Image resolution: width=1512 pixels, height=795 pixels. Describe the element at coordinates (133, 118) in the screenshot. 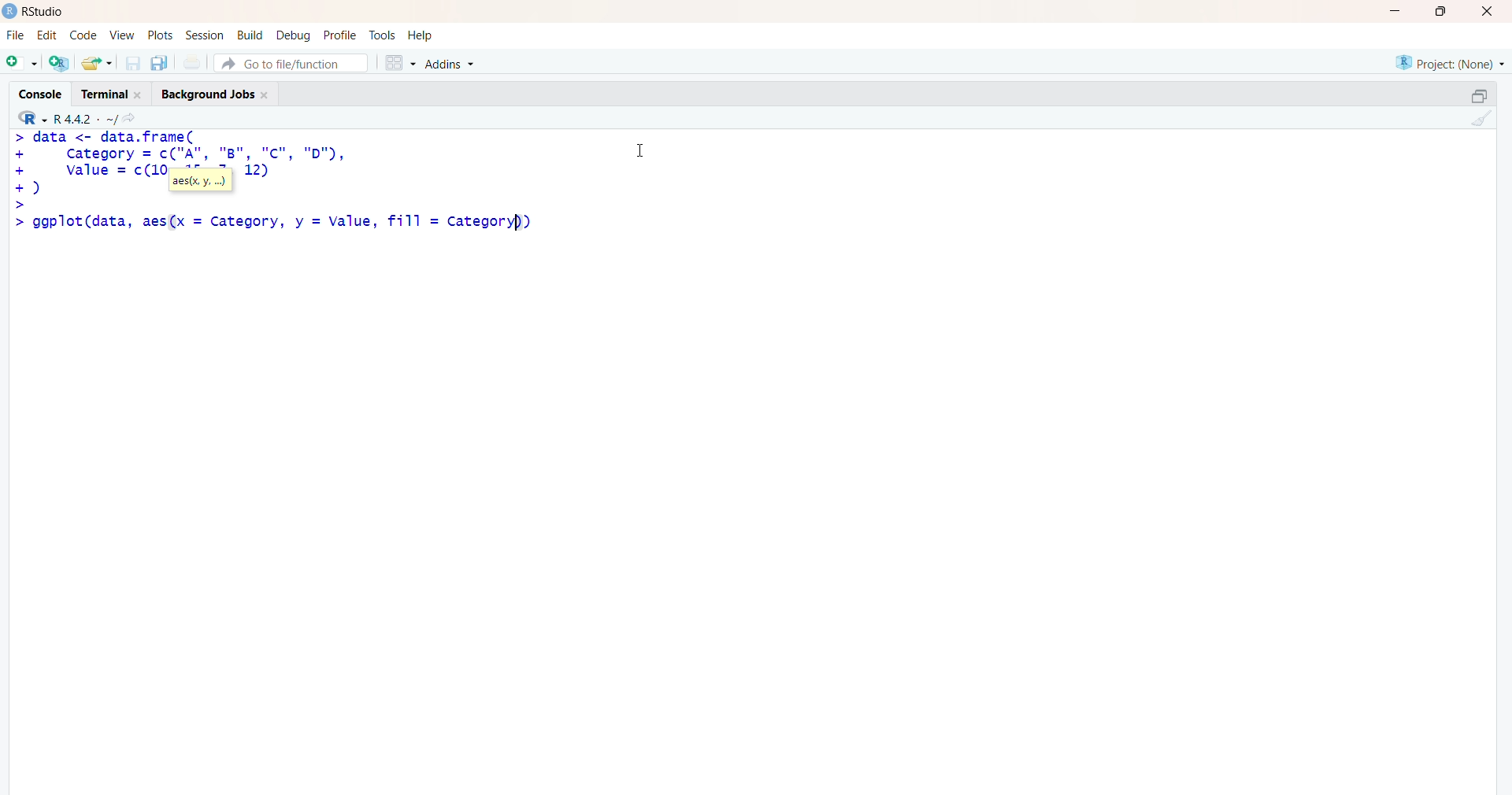

I see `go to directiory` at that location.